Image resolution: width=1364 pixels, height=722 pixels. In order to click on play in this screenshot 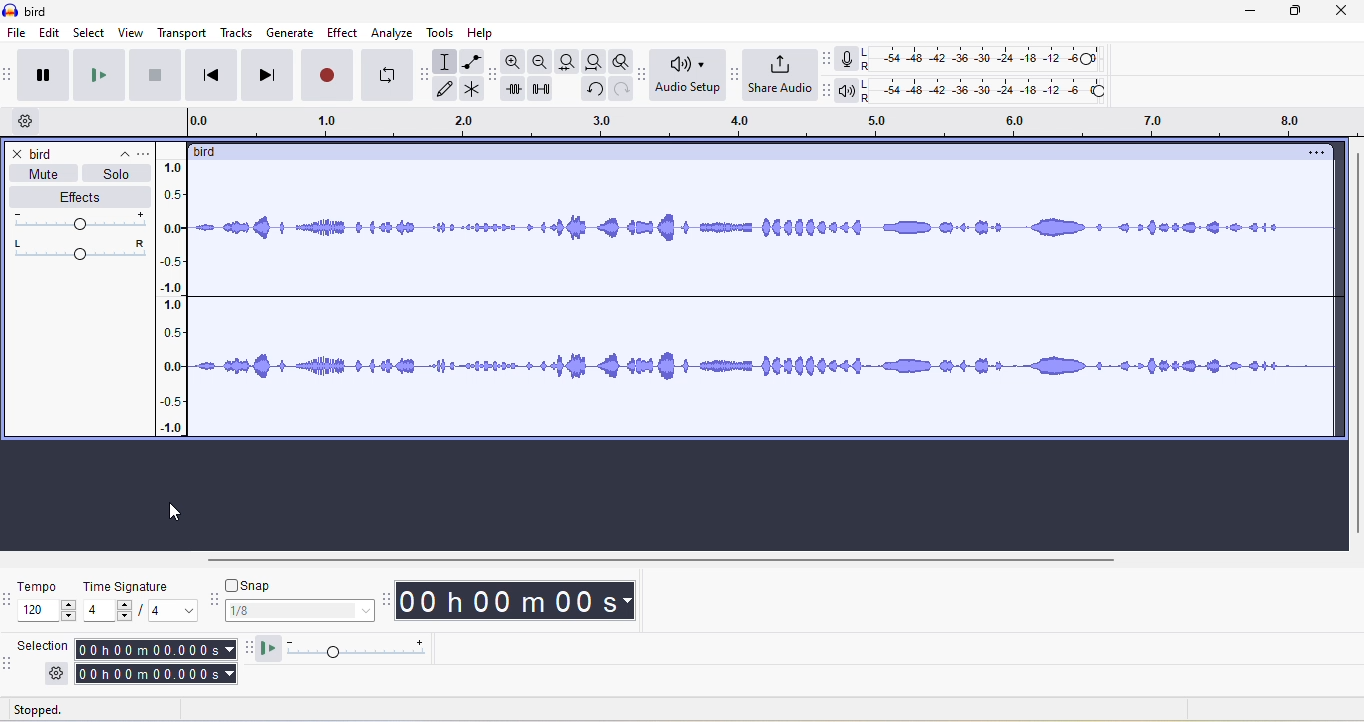, I will do `click(103, 76)`.